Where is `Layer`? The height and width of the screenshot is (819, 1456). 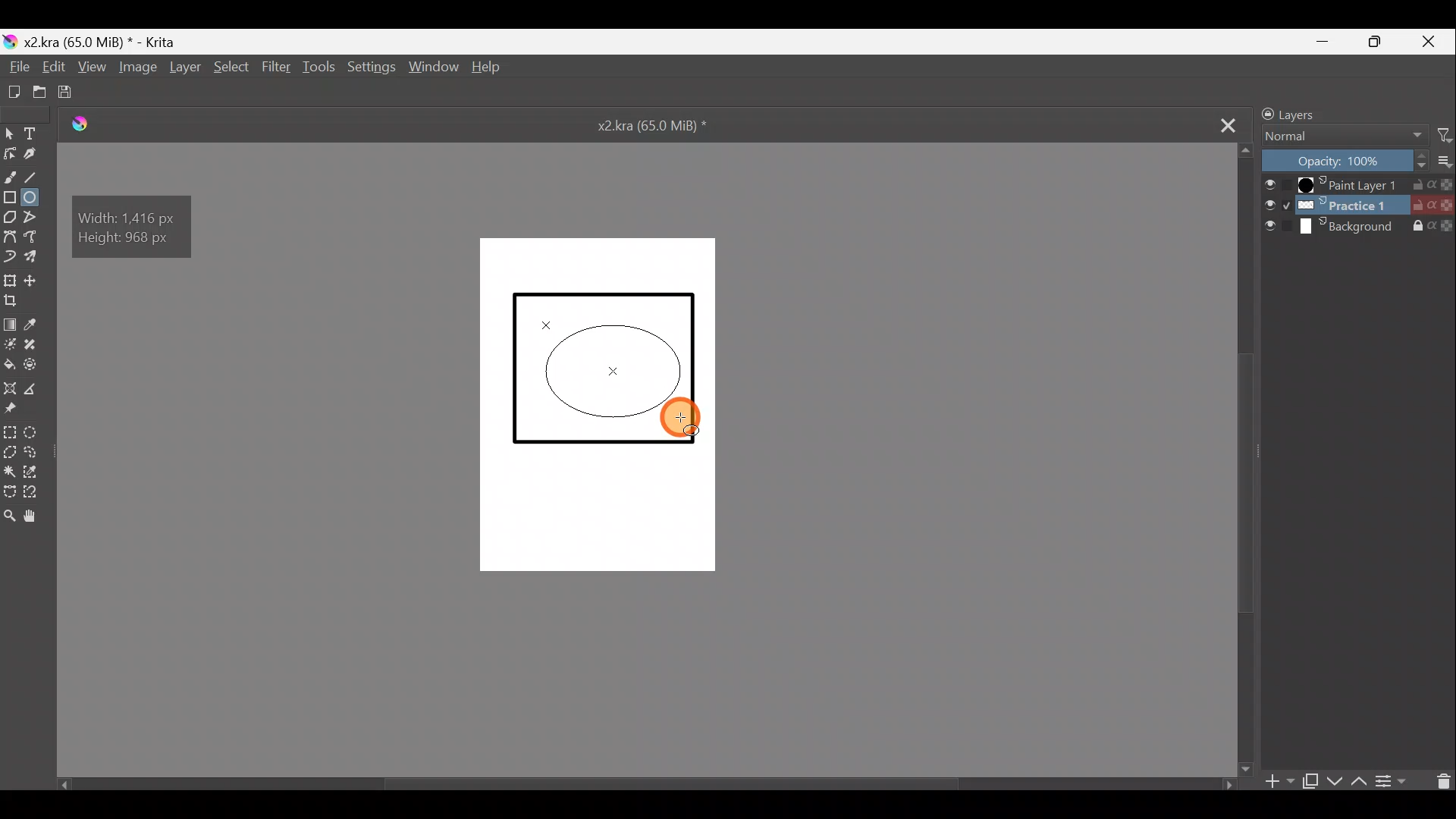 Layer is located at coordinates (186, 71).